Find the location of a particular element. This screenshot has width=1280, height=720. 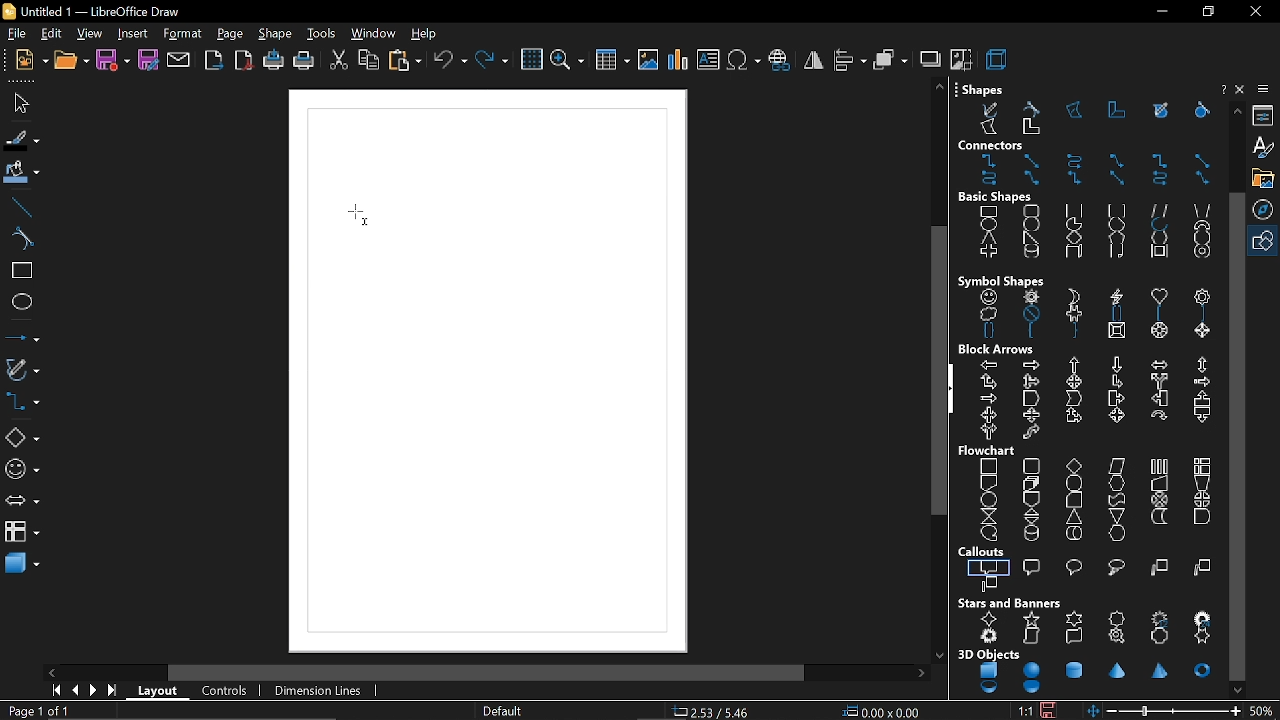

insert symbol is located at coordinates (744, 61).